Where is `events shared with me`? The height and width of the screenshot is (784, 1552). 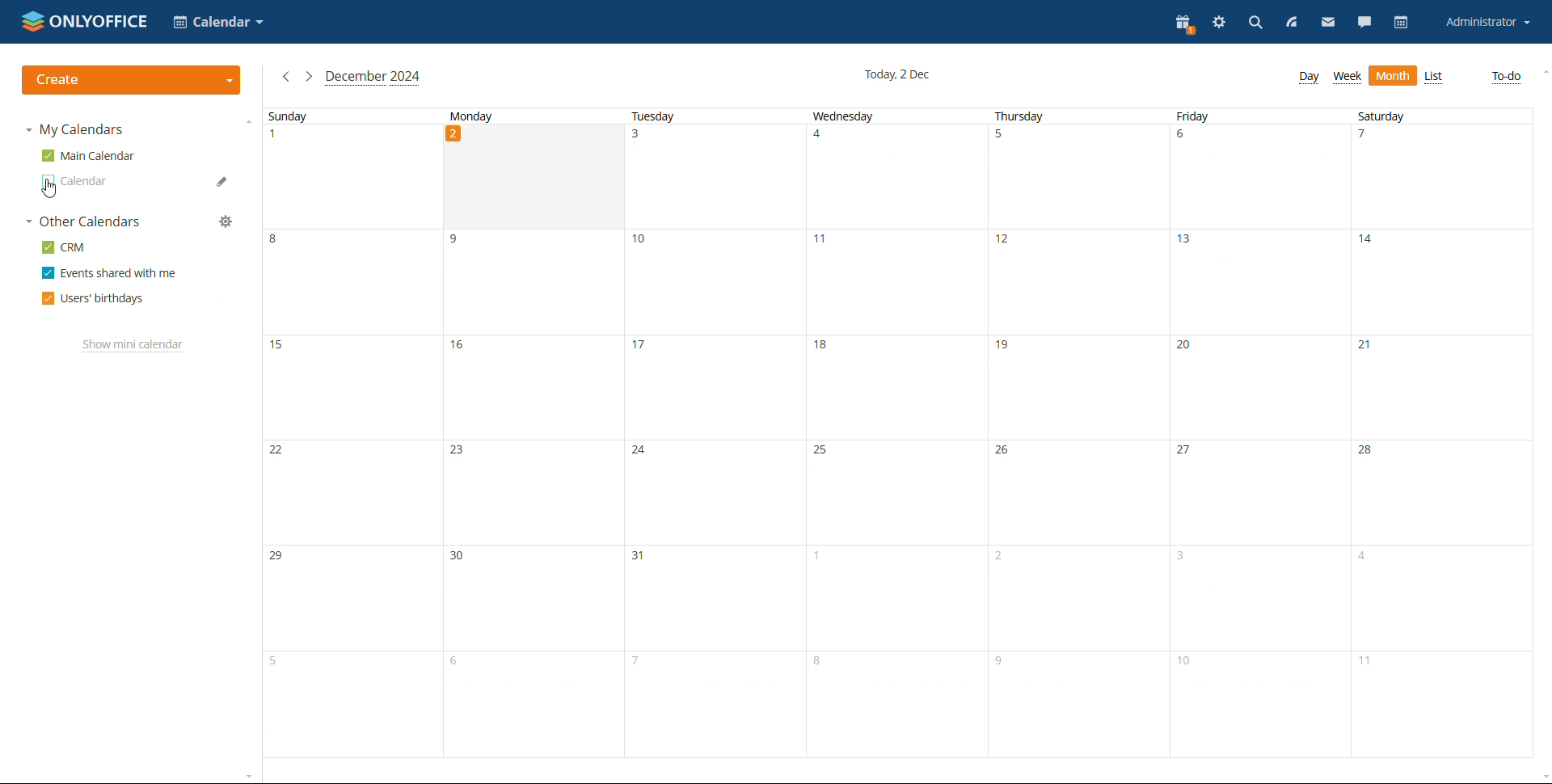
events shared with me is located at coordinates (108, 272).